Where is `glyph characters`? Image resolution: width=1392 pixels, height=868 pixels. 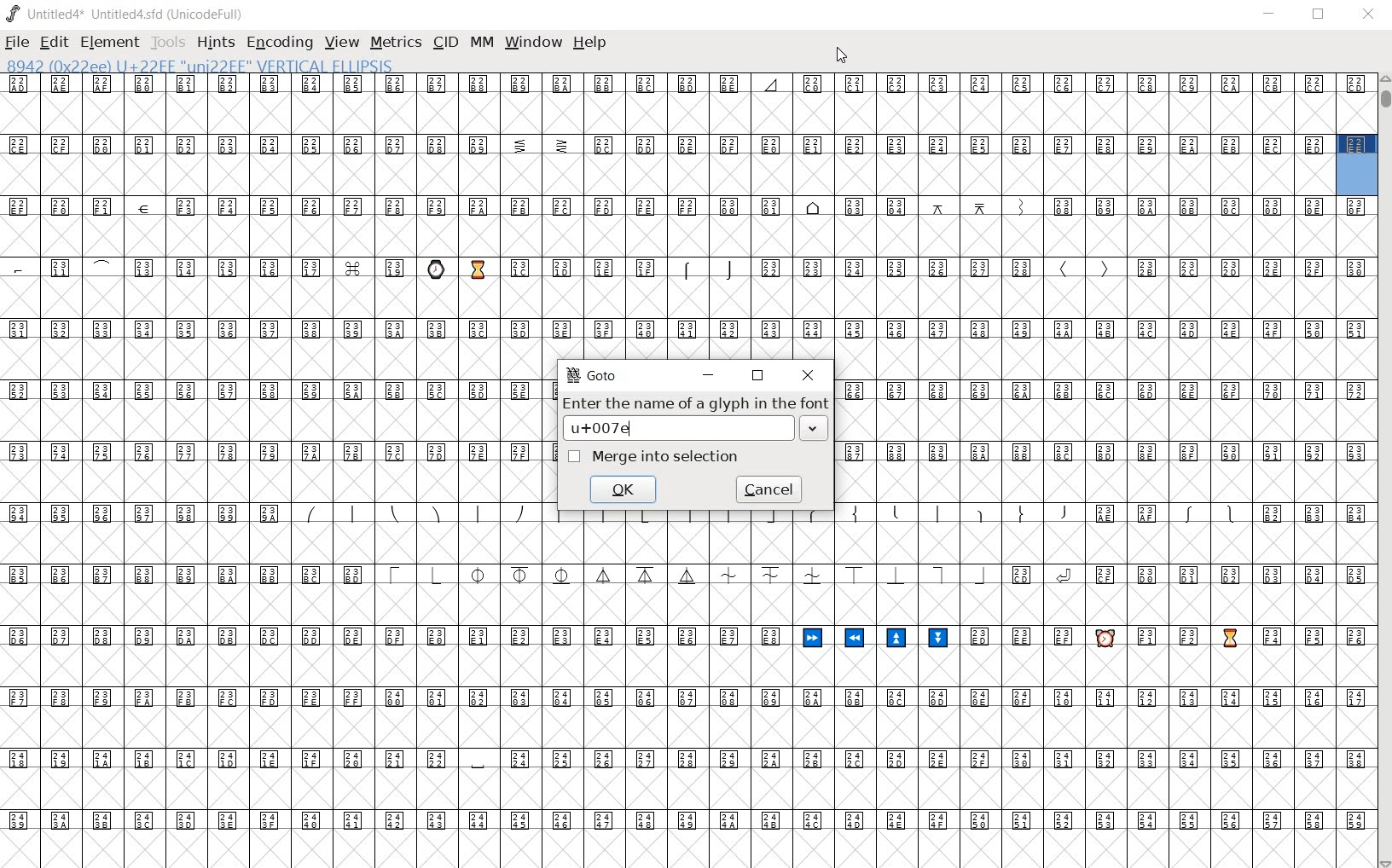 glyph characters is located at coordinates (1105, 440).